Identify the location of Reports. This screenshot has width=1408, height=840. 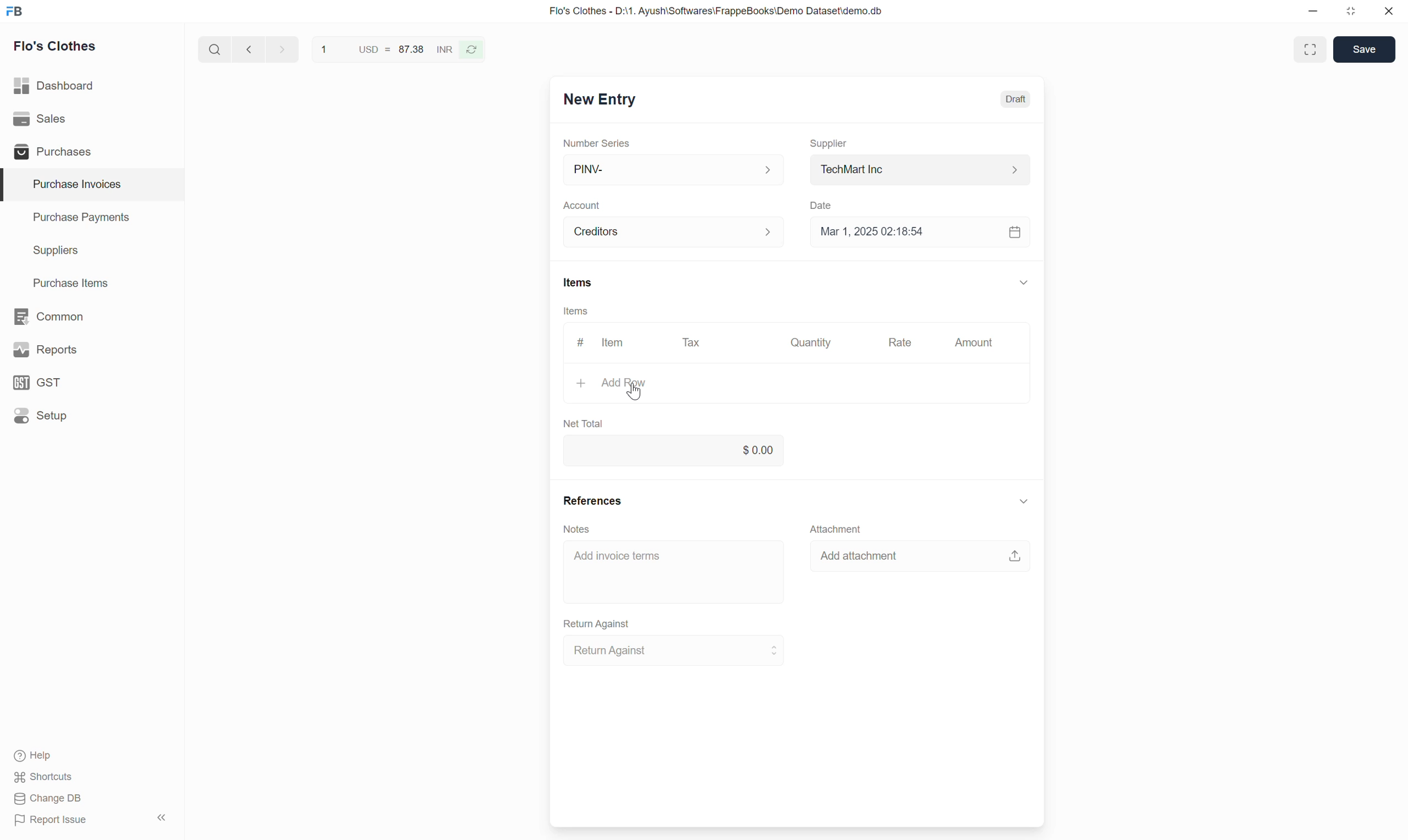
(92, 350).